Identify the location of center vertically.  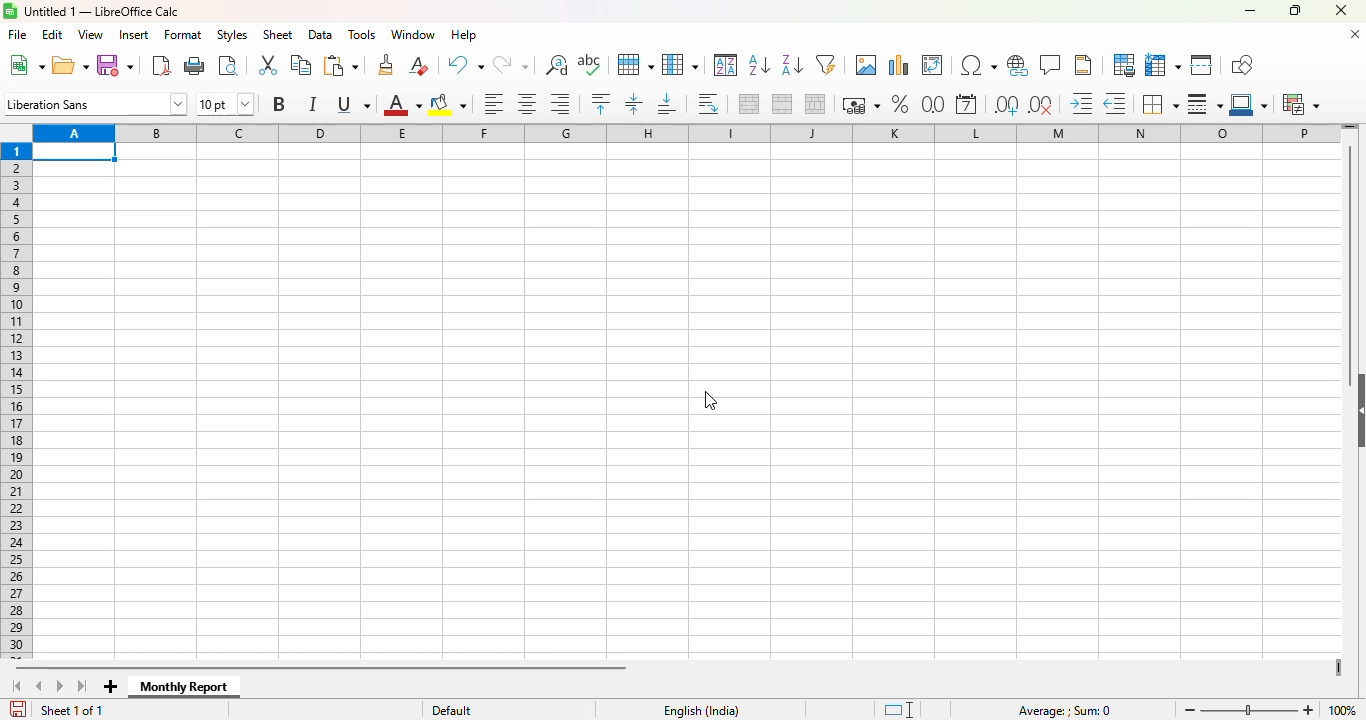
(633, 104).